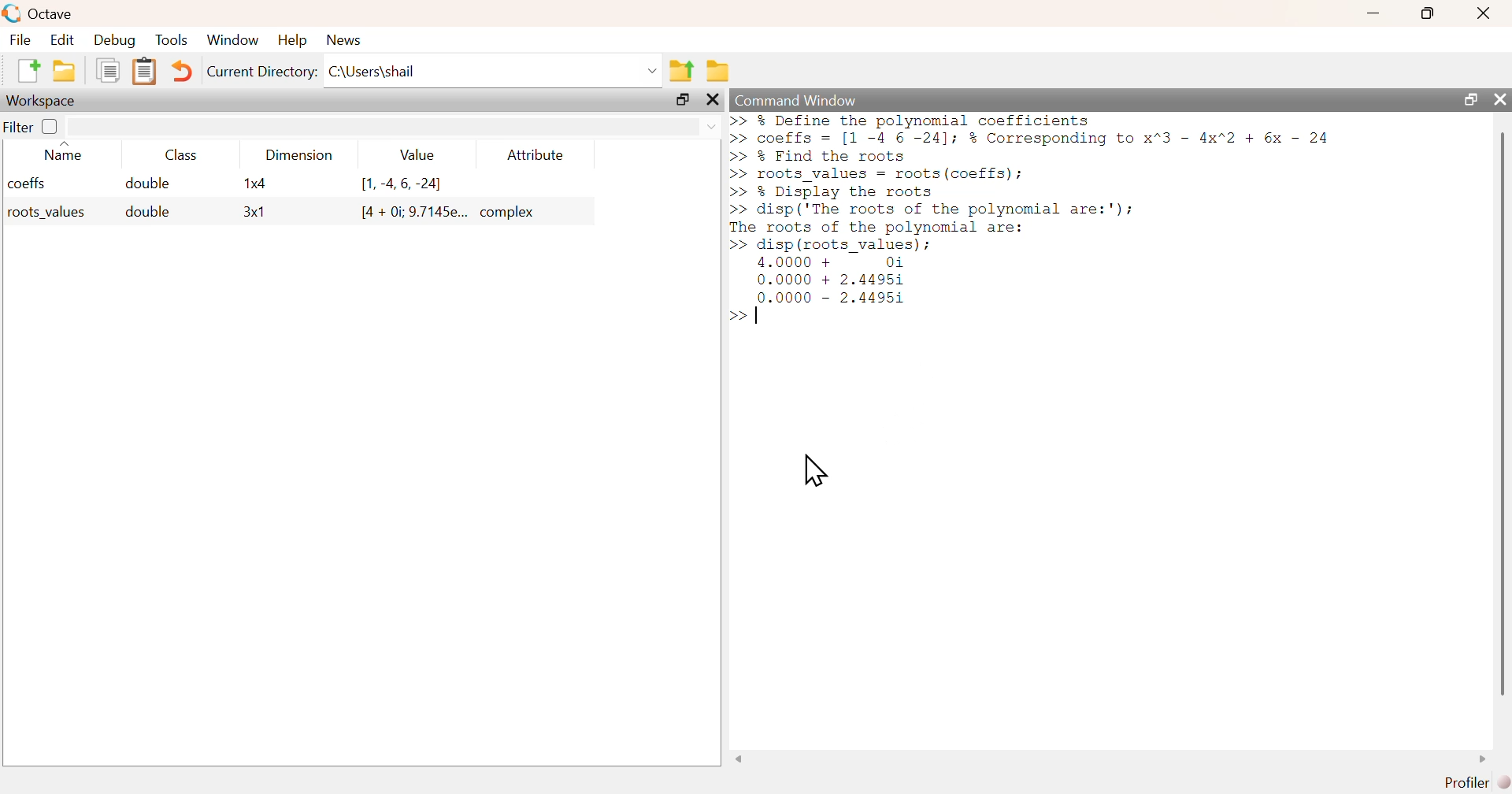 The height and width of the screenshot is (794, 1512). I want to click on Current Directory:, so click(261, 72).